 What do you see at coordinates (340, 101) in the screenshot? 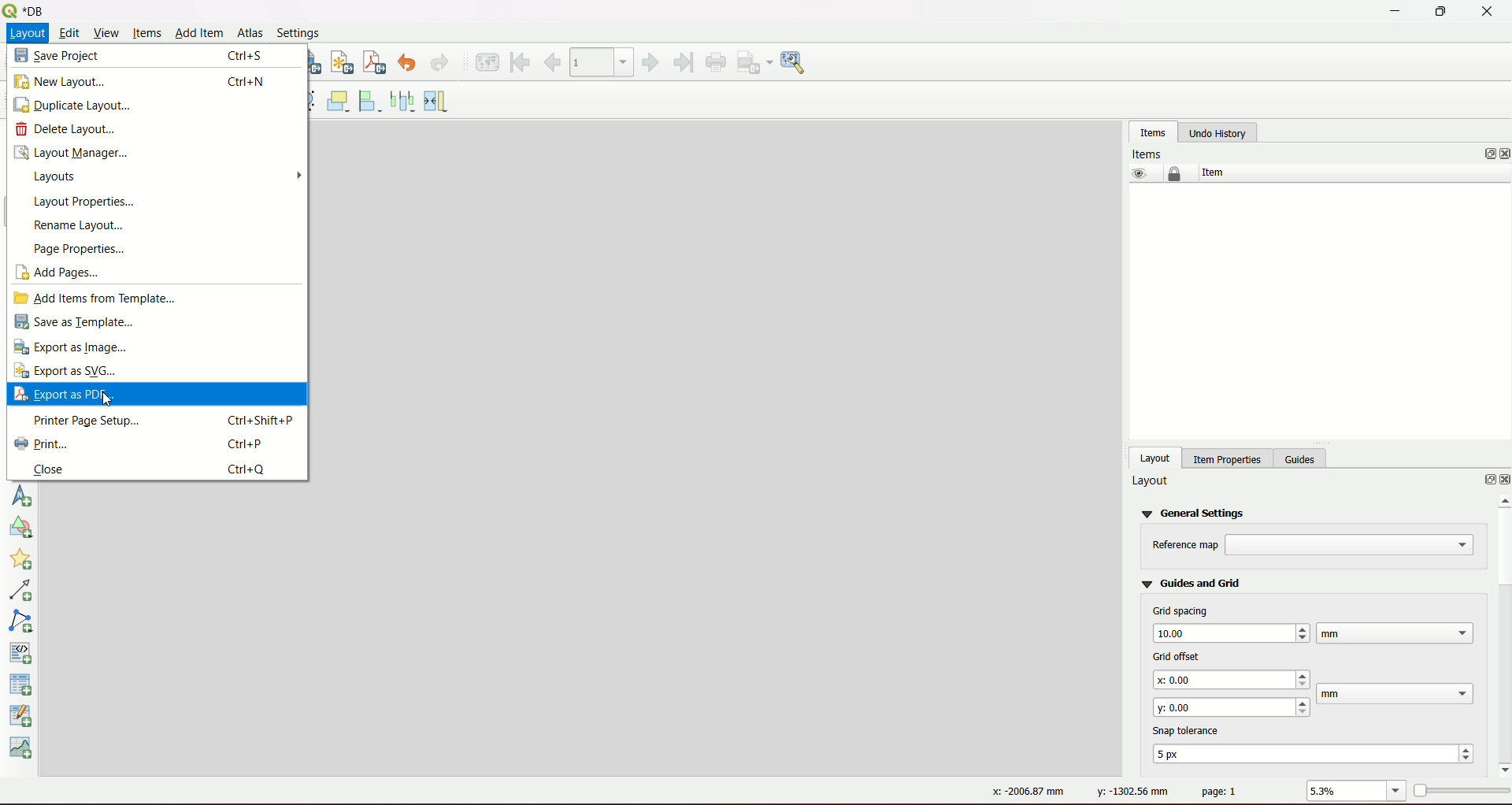
I see `raise selected` at bounding box center [340, 101].